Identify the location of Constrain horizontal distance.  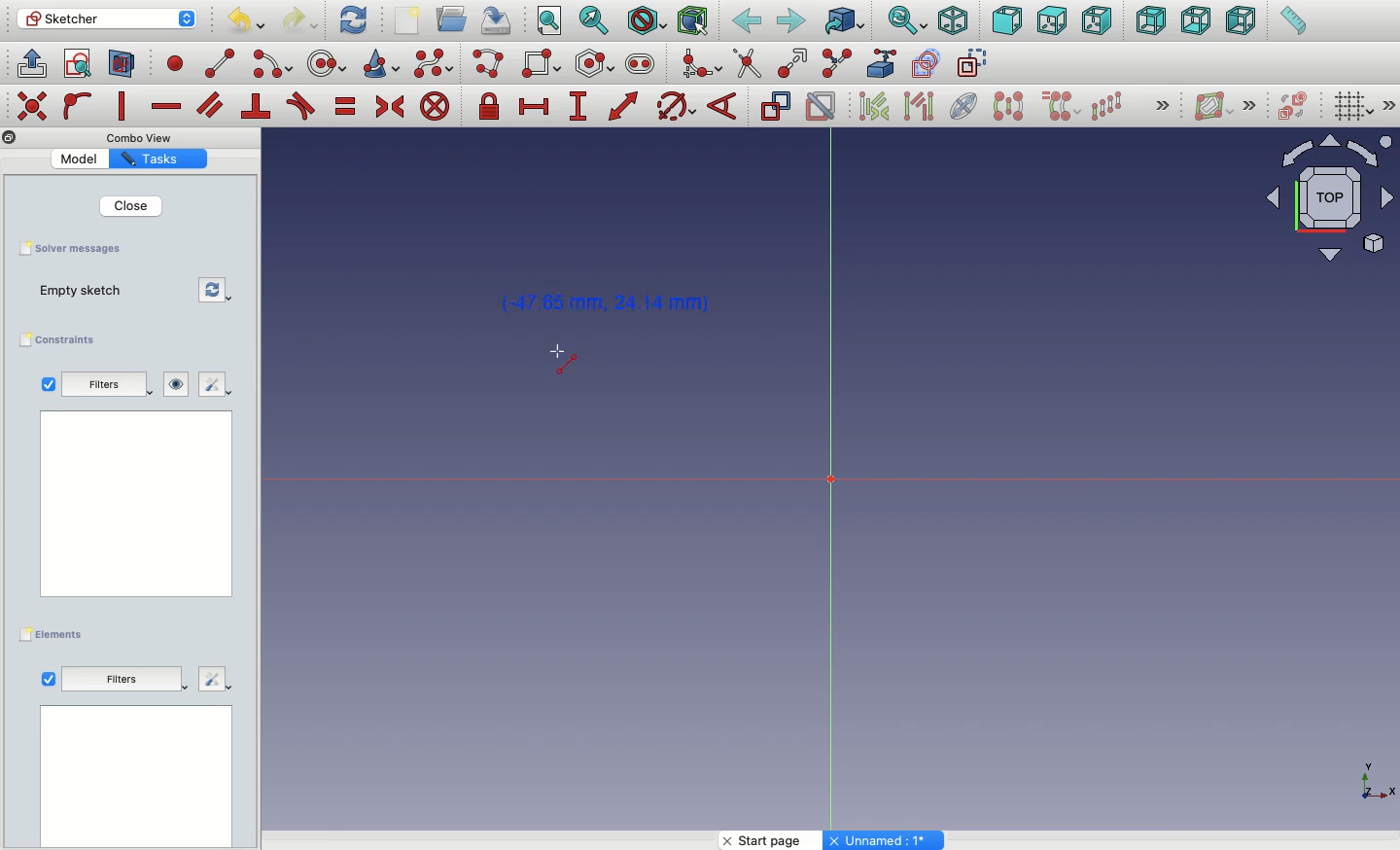
(538, 108).